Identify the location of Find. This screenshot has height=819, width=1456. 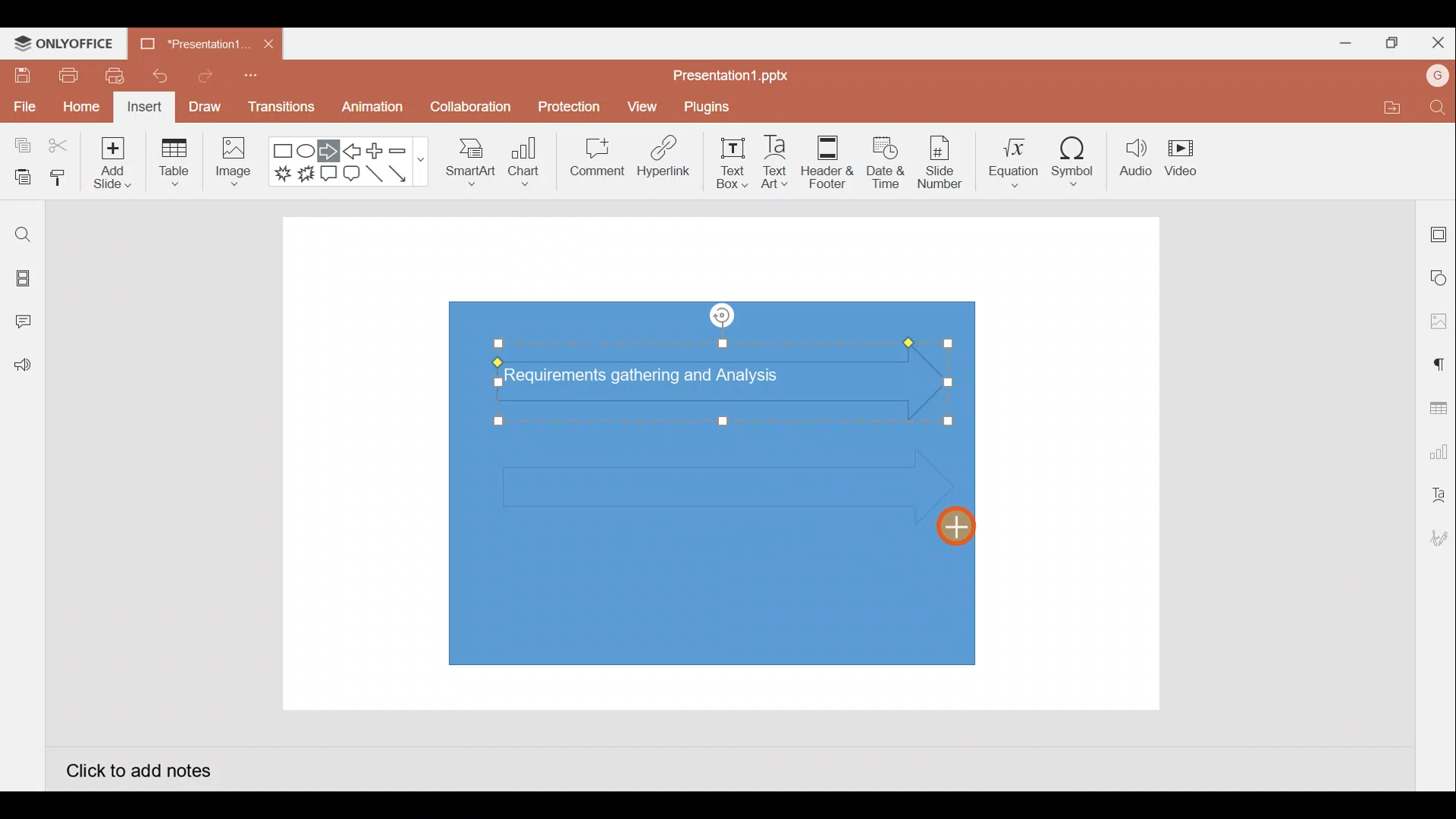
(22, 234).